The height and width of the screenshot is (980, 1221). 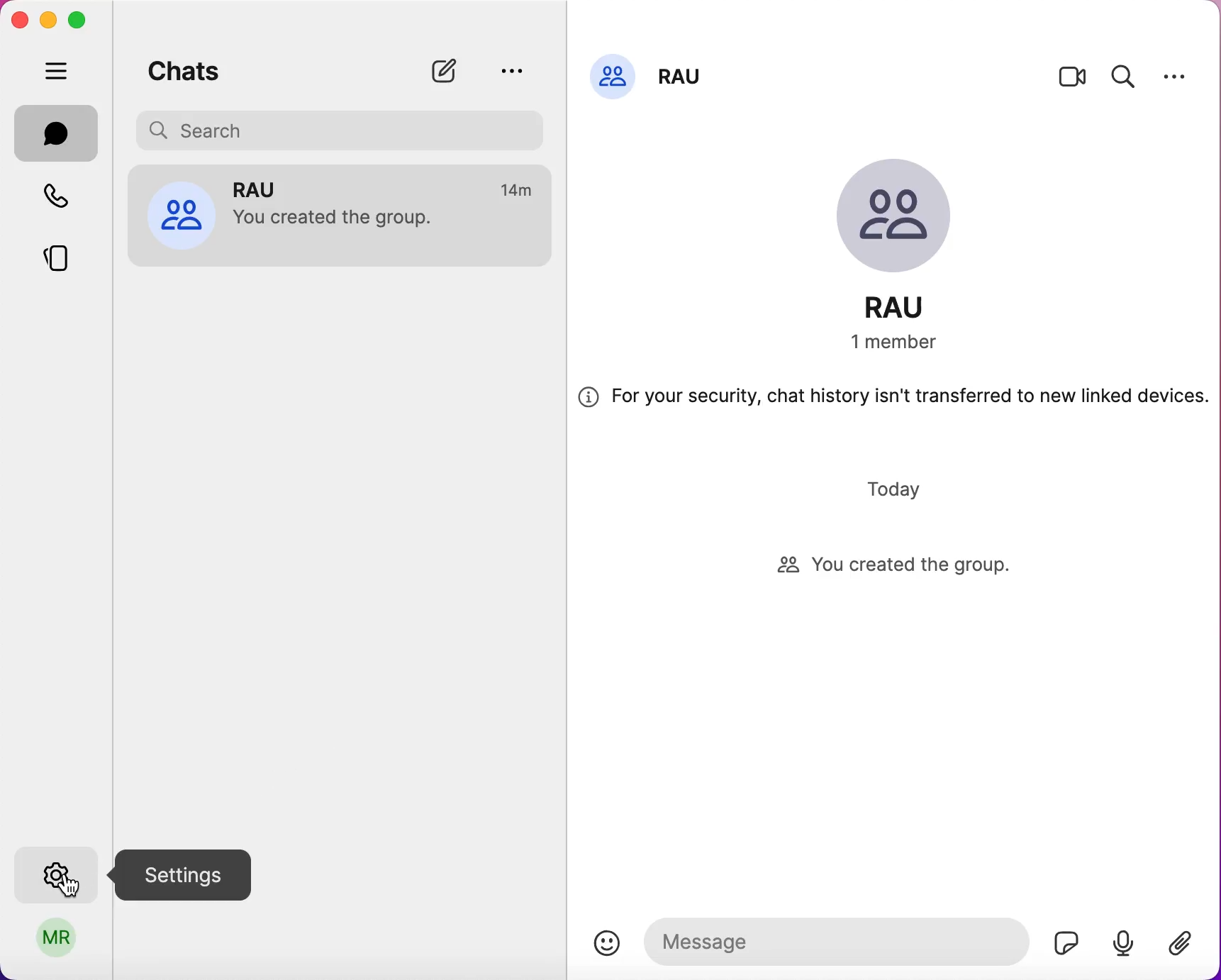 I want to click on You created the group., so click(x=334, y=218).